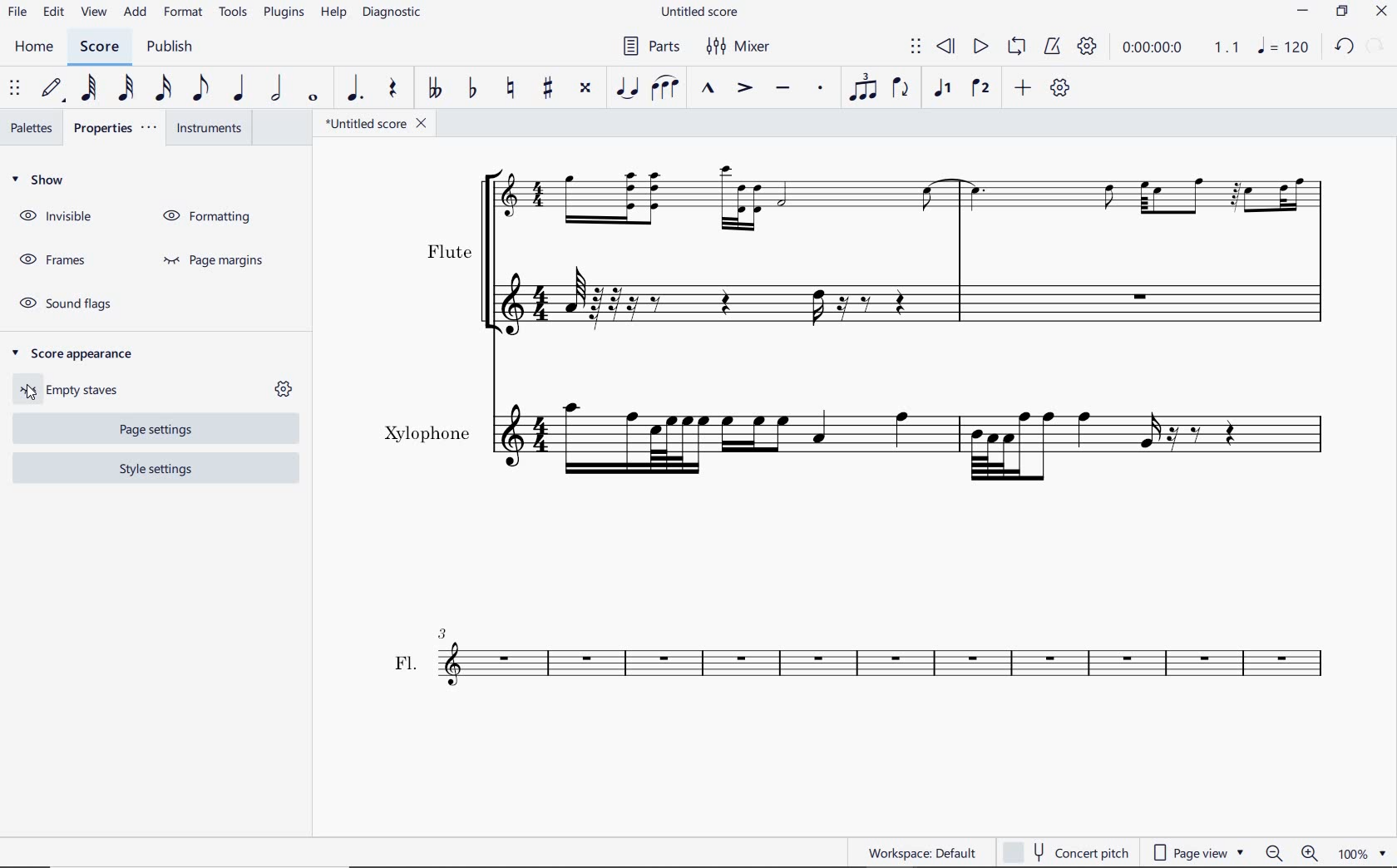 This screenshot has height=868, width=1397. Describe the element at coordinates (35, 47) in the screenshot. I see `HOME` at that location.